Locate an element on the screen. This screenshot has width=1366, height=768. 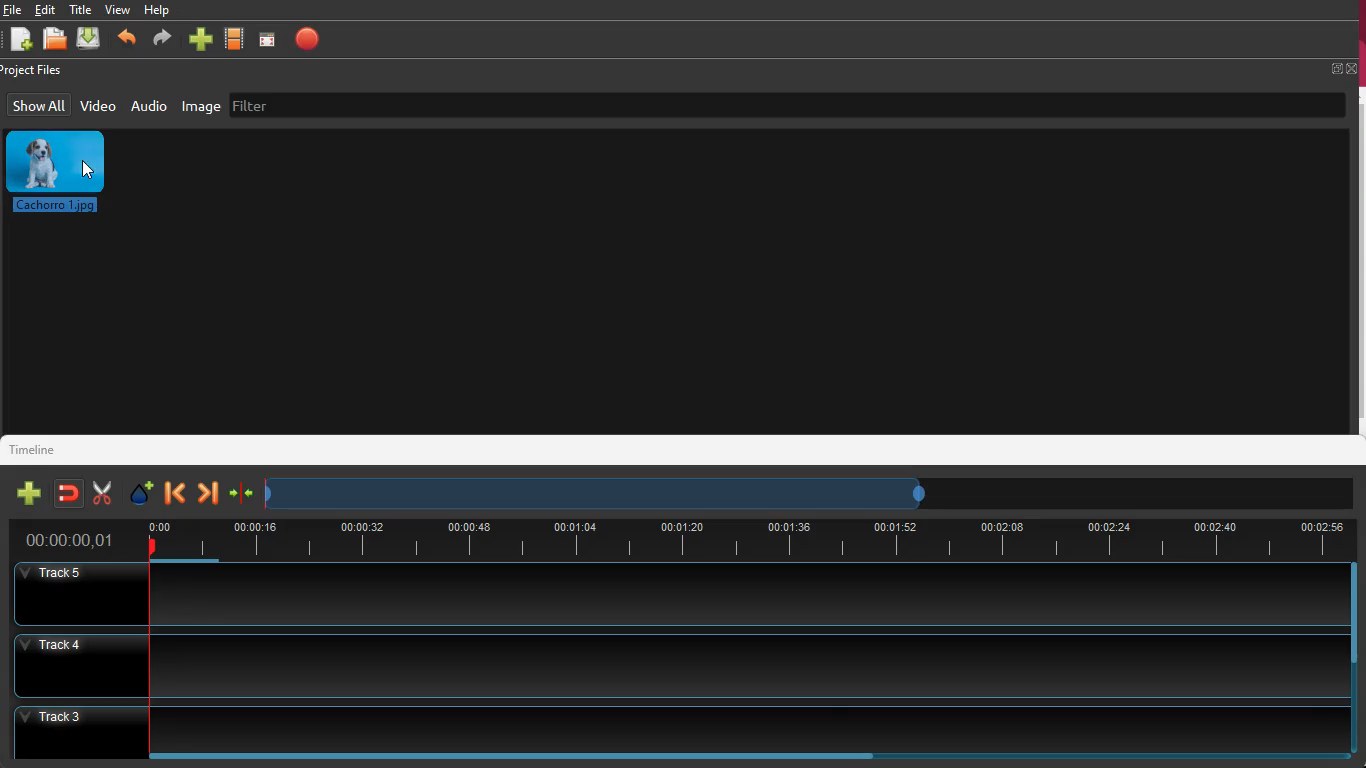
scrollbar is located at coordinates (744, 754).